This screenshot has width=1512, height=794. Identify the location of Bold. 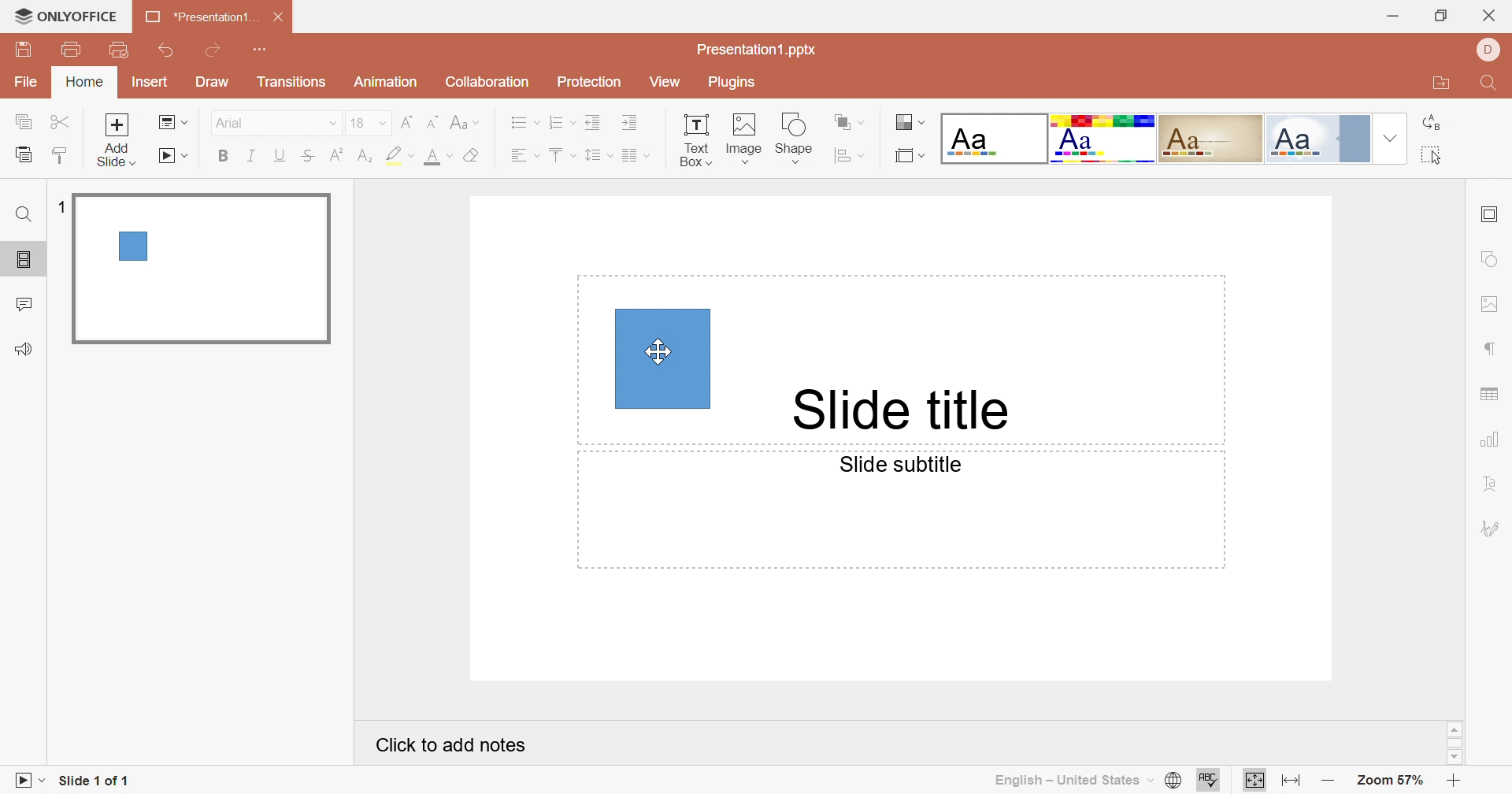
(224, 157).